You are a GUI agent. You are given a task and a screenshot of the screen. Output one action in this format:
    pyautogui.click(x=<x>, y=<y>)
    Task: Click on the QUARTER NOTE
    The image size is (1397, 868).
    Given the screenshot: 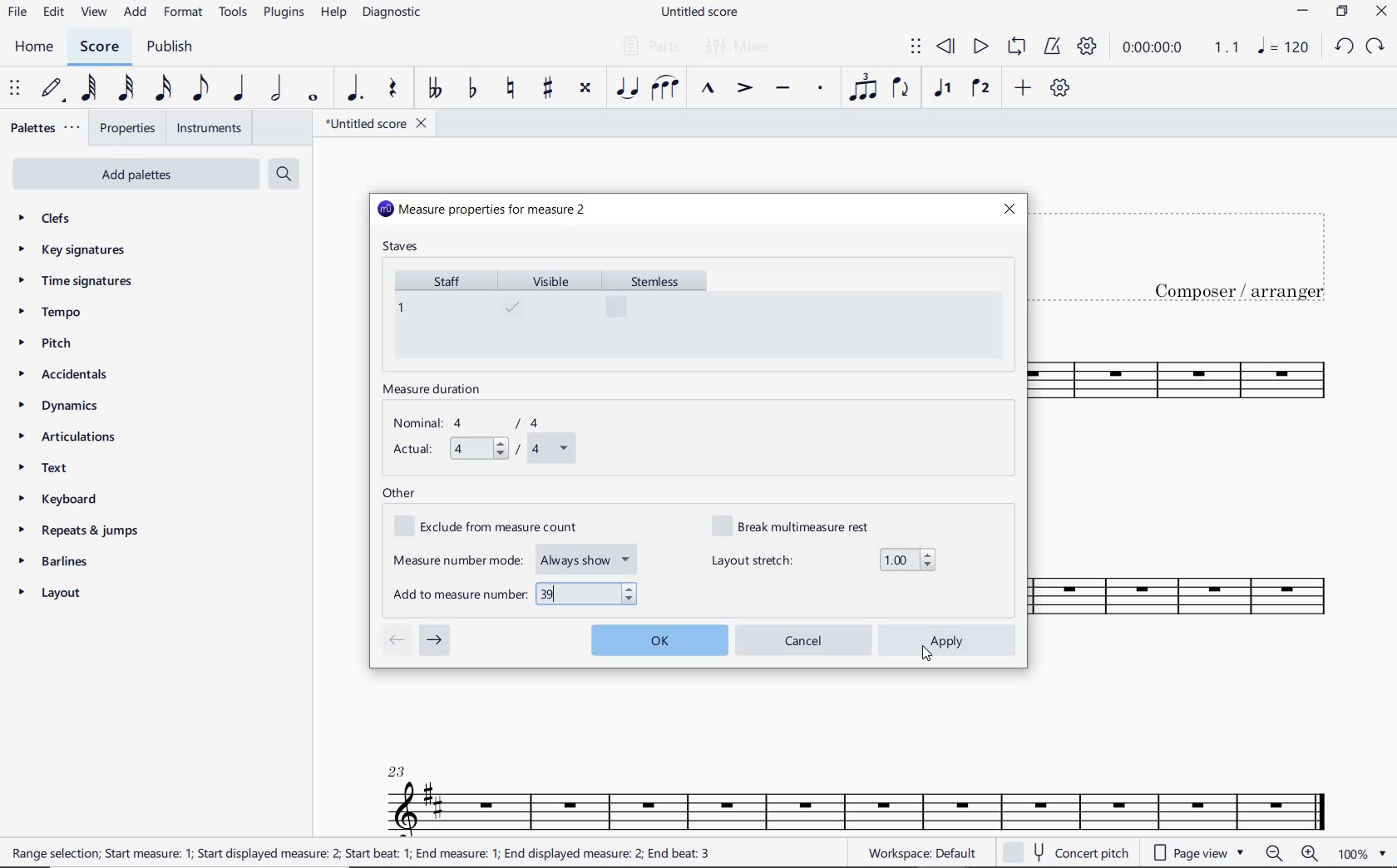 What is the action you would take?
    pyautogui.click(x=239, y=89)
    